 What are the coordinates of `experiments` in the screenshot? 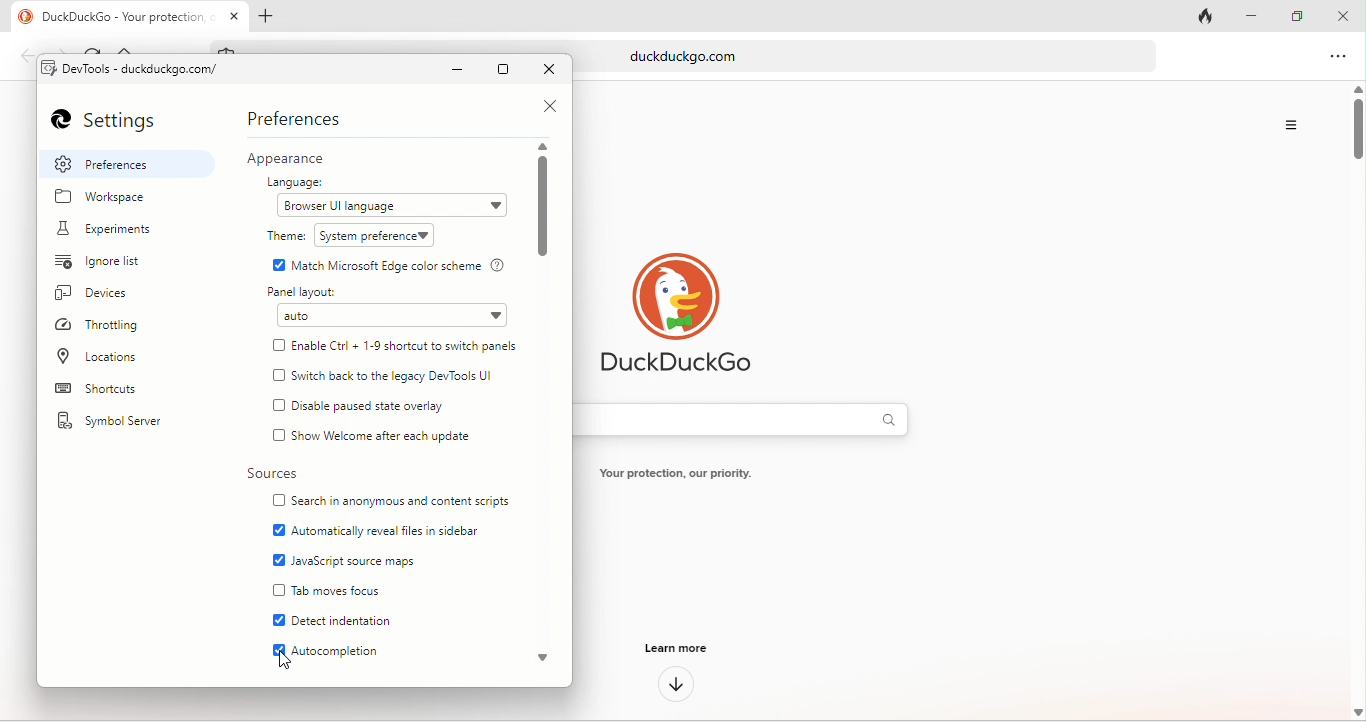 It's located at (117, 230).